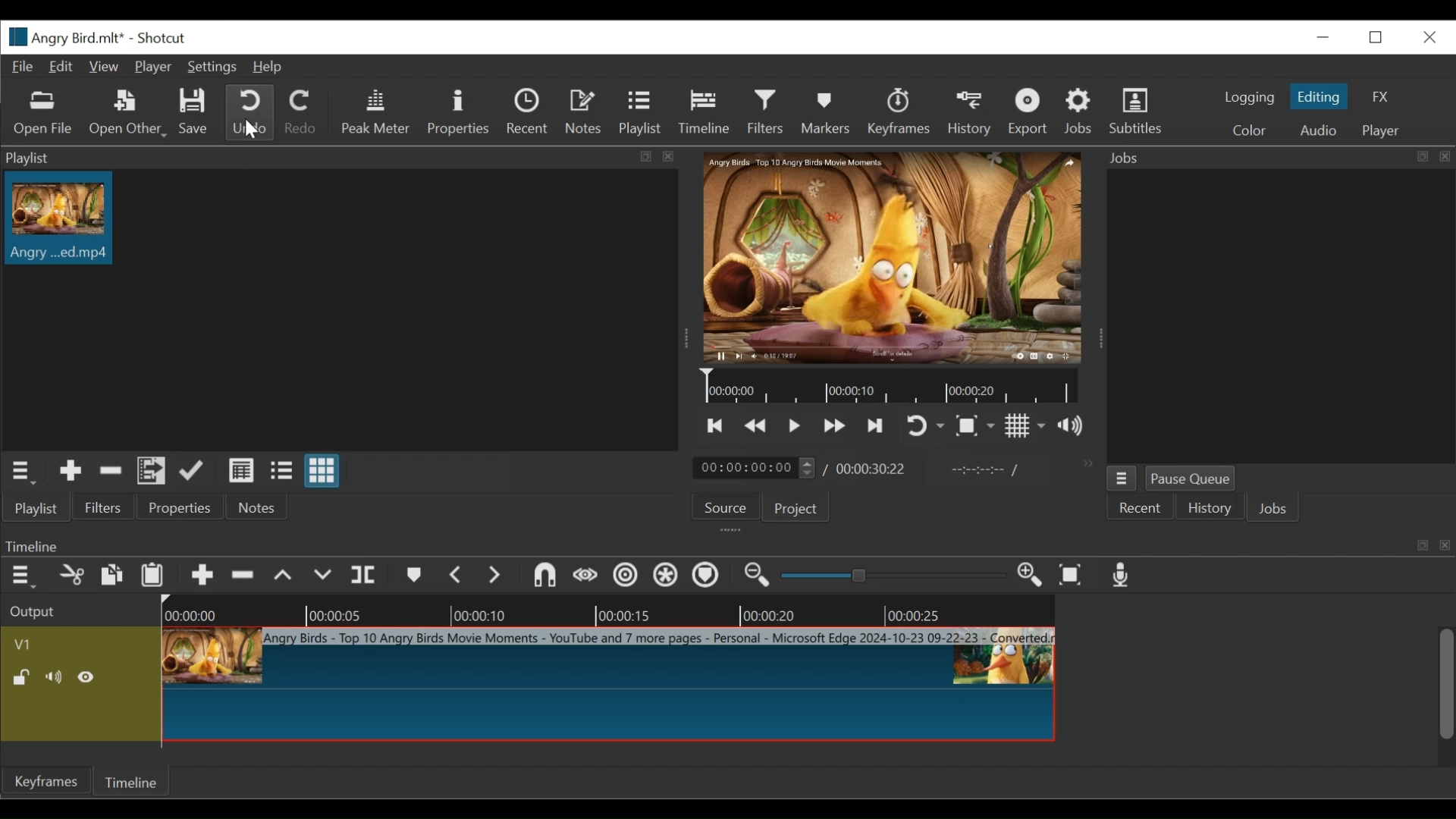  Describe the element at coordinates (249, 130) in the screenshot. I see `Cursor` at that location.